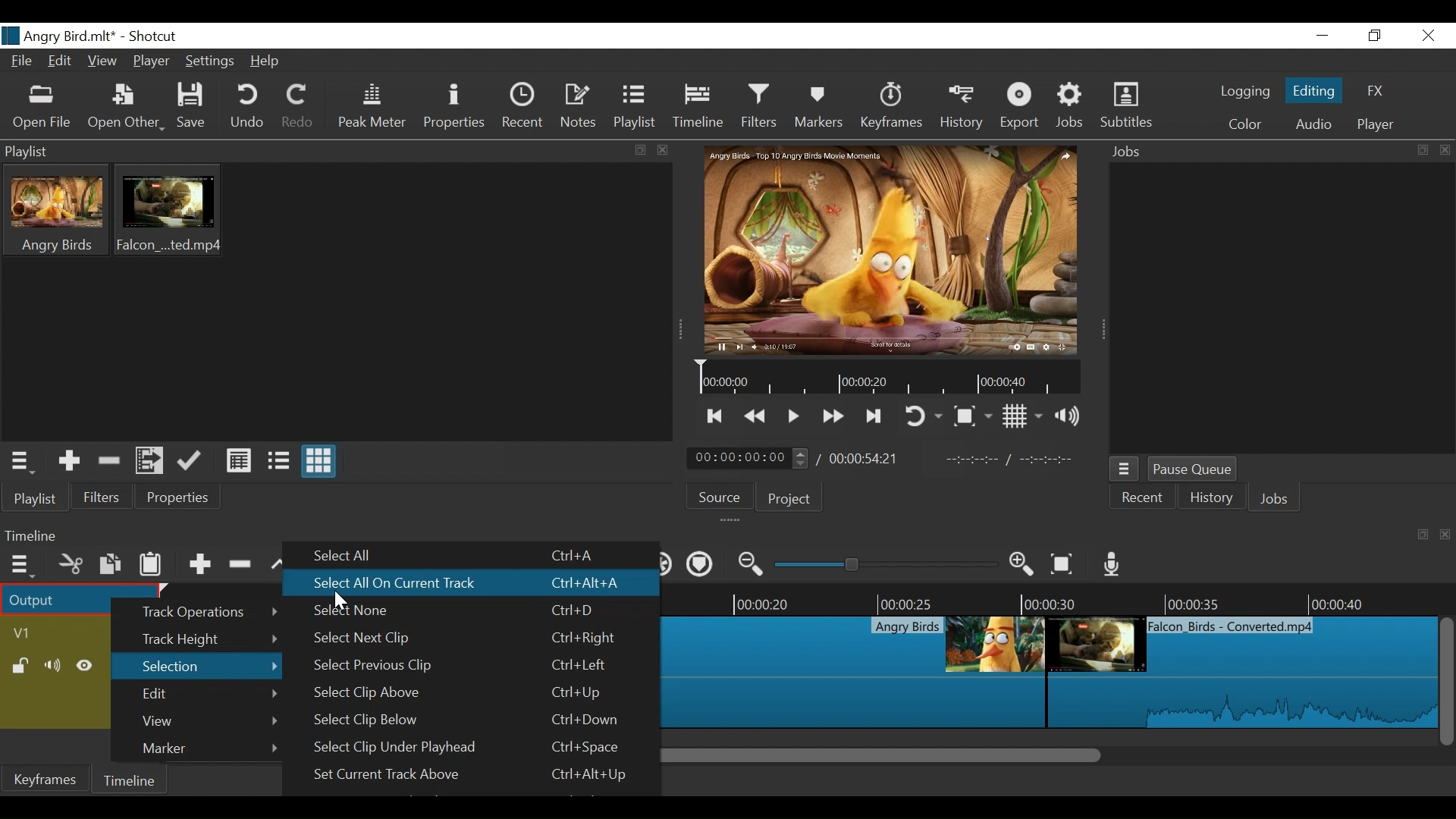 The image size is (1456, 819). Describe the element at coordinates (103, 61) in the screenshot. I see `View` at that location.